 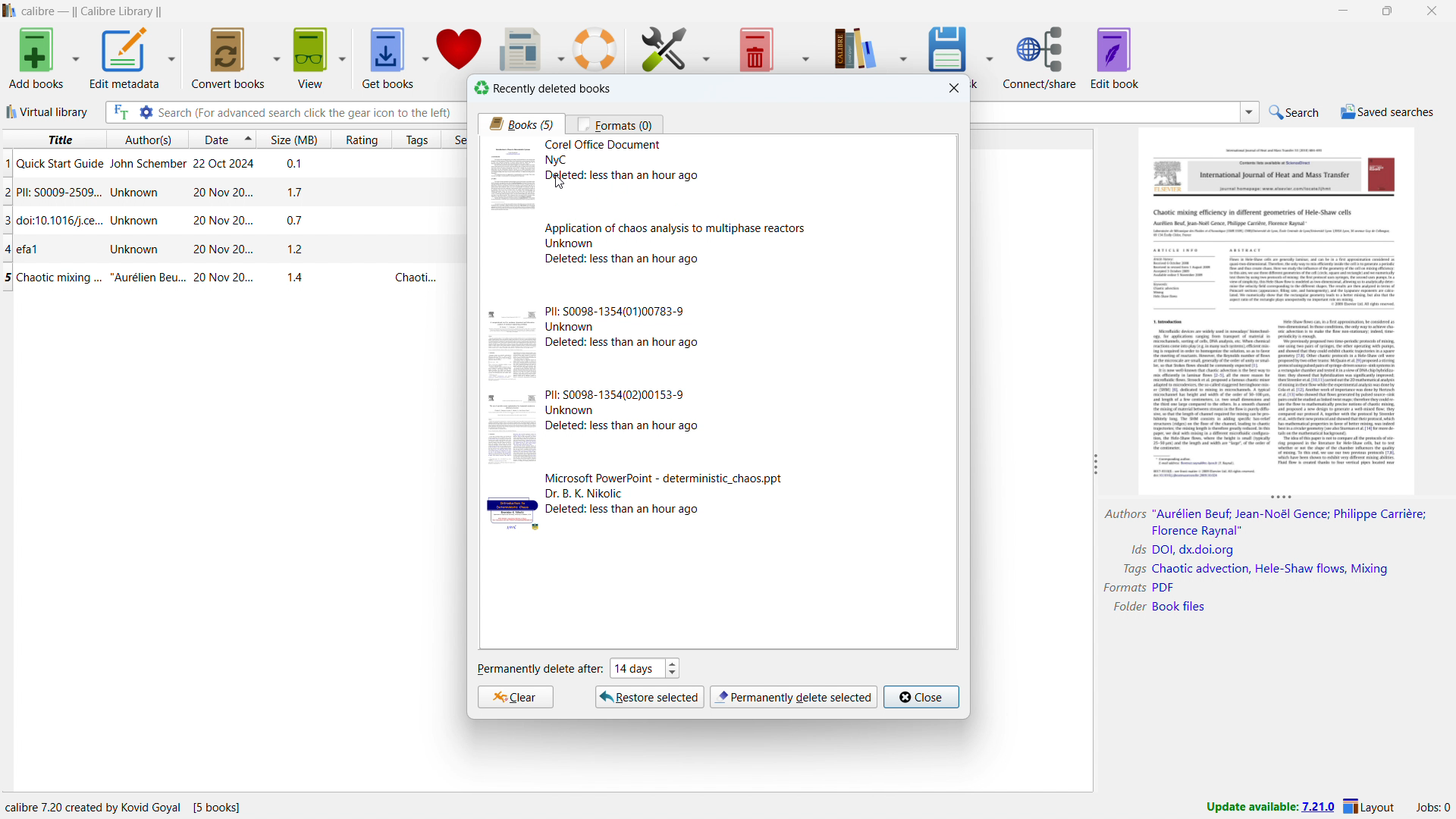 What do you see at coordinates (1250, 113) in the screenshot?
I see `search history` at bounding box center [1250, 113].